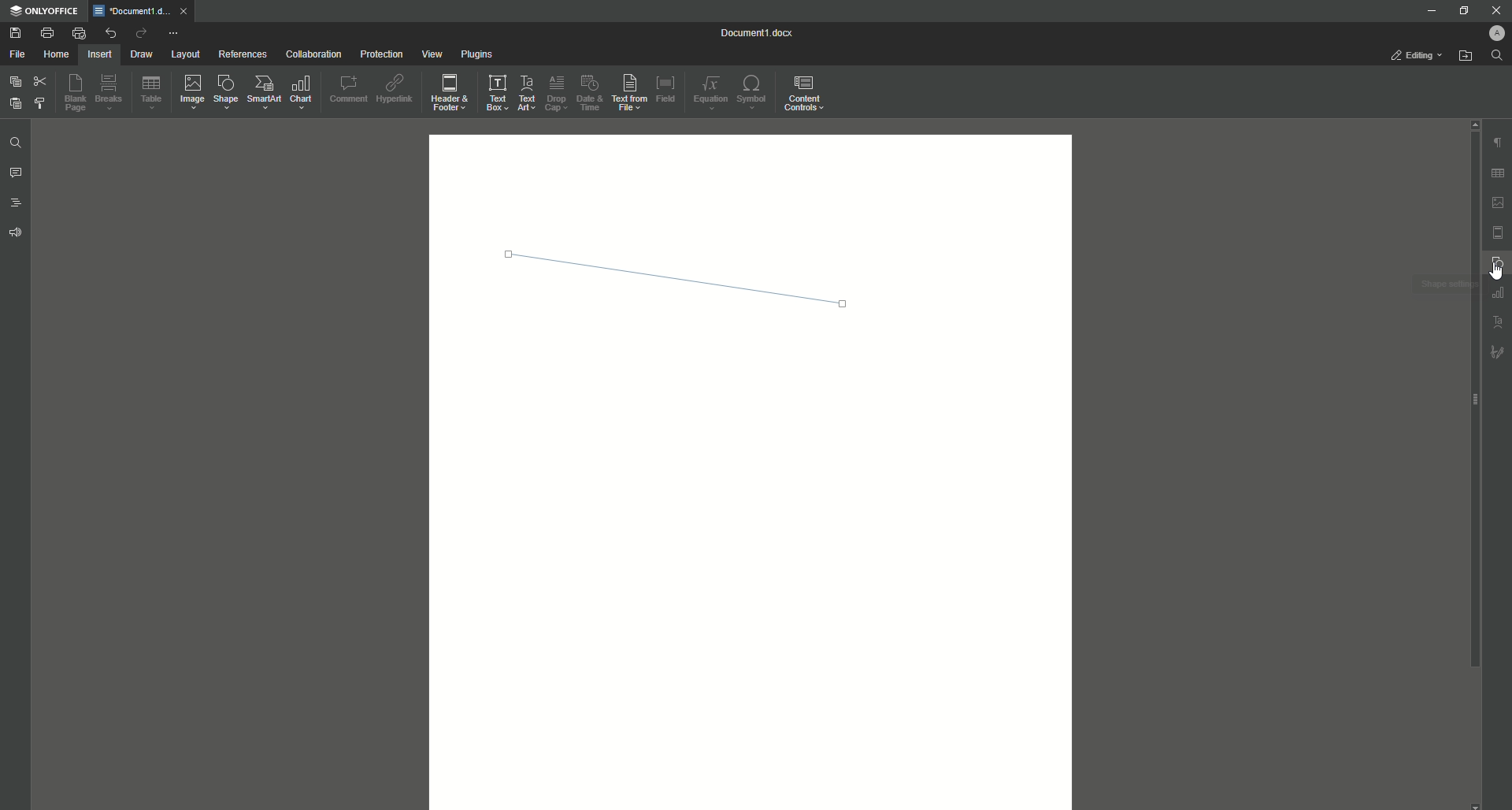 The height and width of the screenshot is (810, 1512). Describe the element at coordinates (667, 88) in the screenshot. I see `Field` at that location.